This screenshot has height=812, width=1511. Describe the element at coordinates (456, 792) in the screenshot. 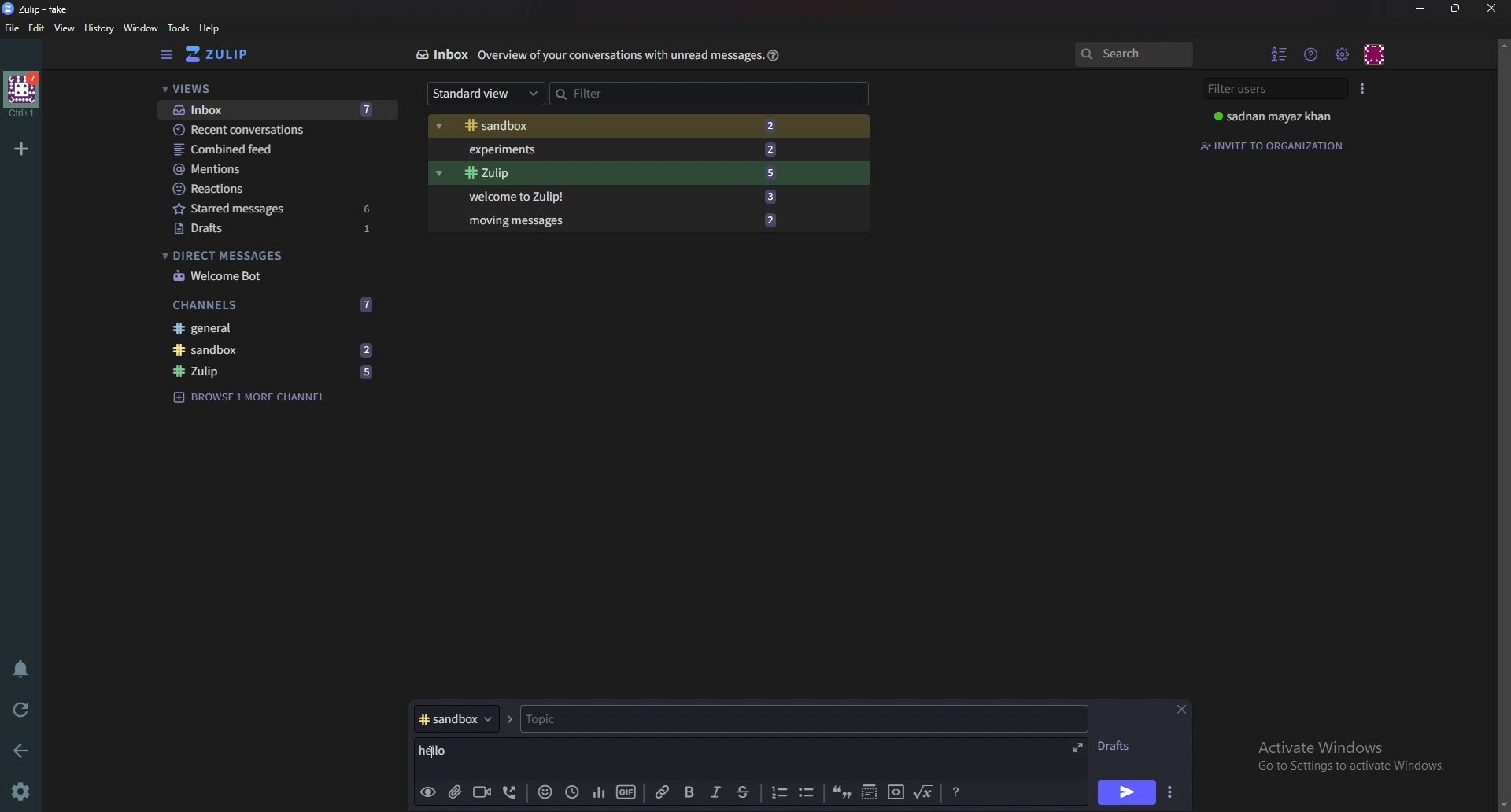

I see `Upload file` at that location.